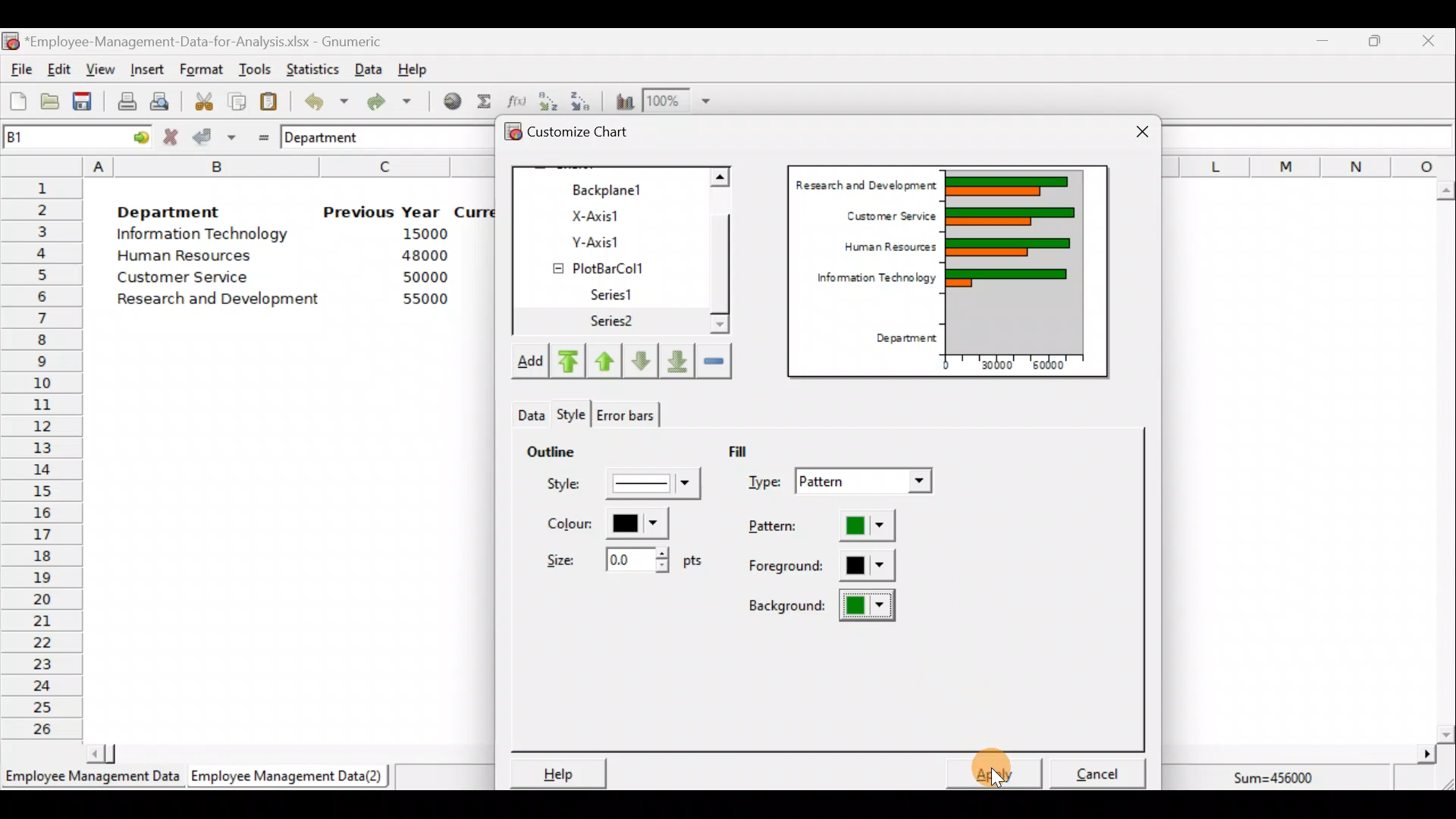 Image resolution: width=1456 pixels, height=819 pixels. Describe the element at coordinates (613, 215) in the screenshot. I see `X-axis1` at that location.